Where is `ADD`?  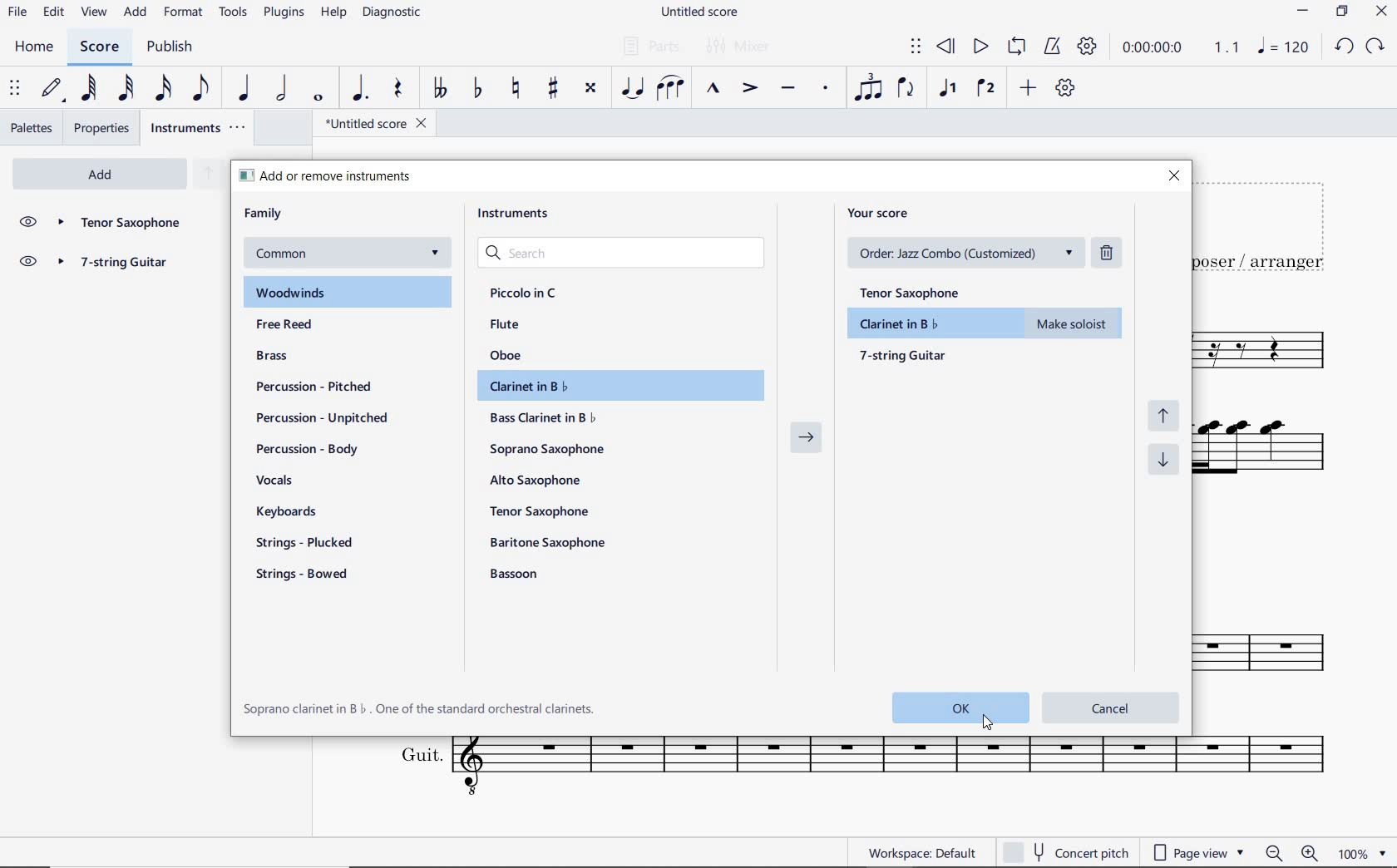
ADD is located at coordinates (136, 13).